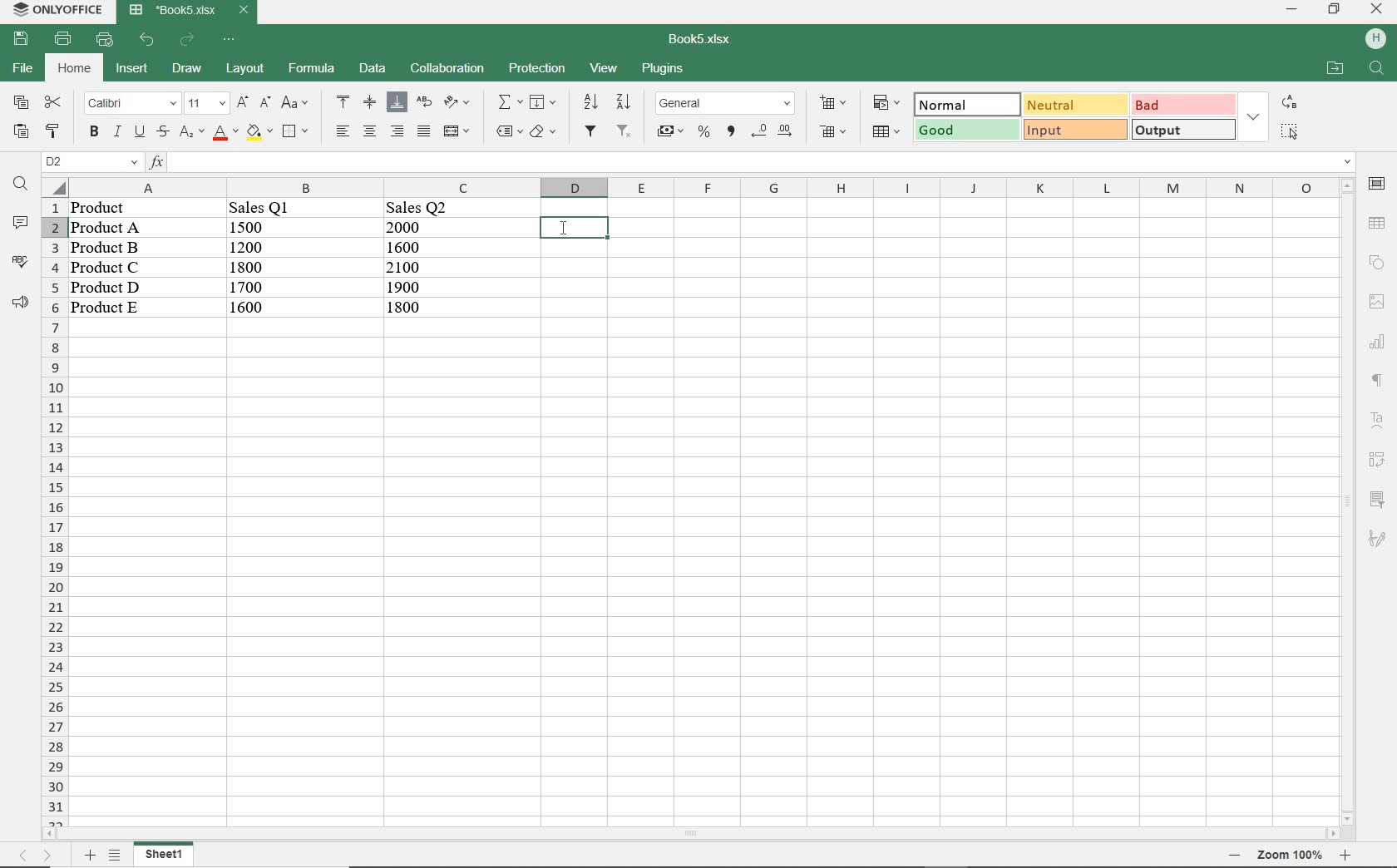  What do you see at coordinates (506, 102) in the screenshot?
I see `summation` at bounding box center [506, 102].